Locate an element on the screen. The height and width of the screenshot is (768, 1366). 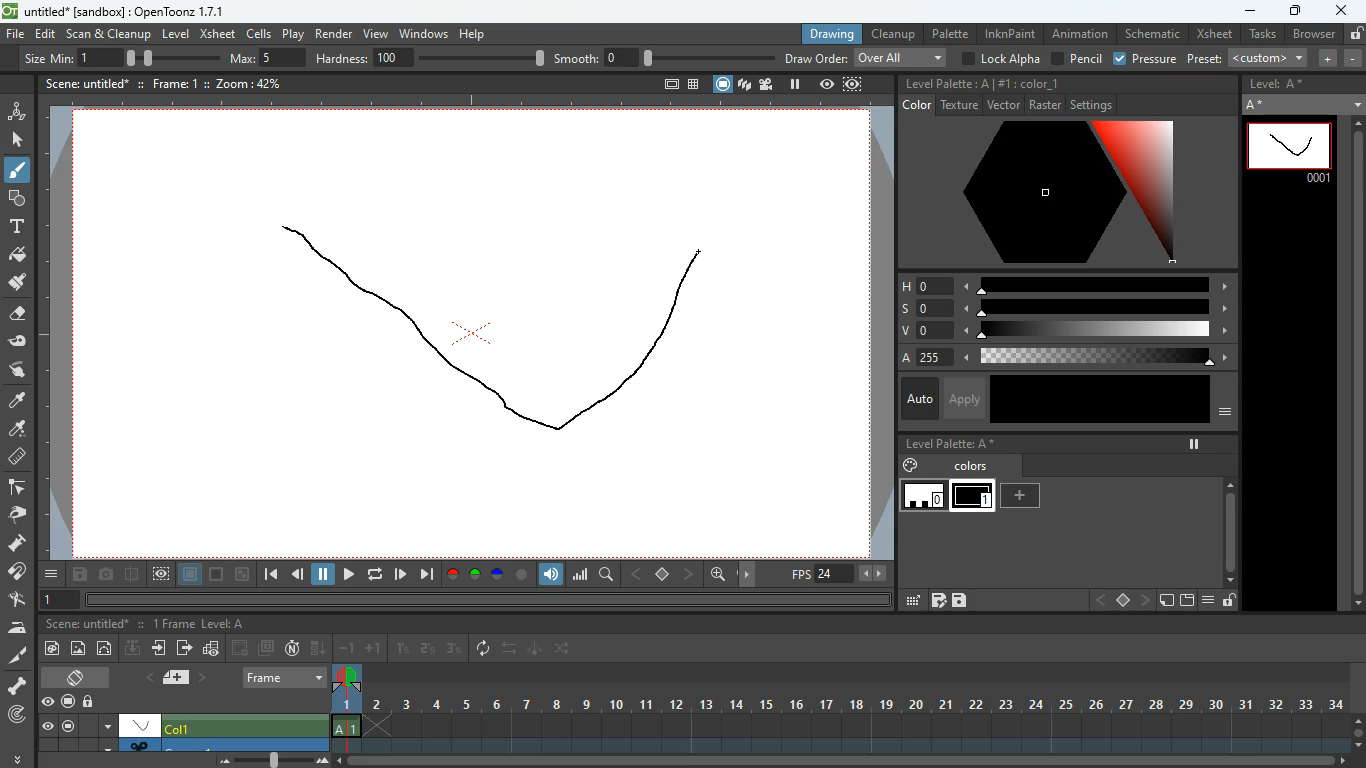
fill is located at coordinates (18, 256).